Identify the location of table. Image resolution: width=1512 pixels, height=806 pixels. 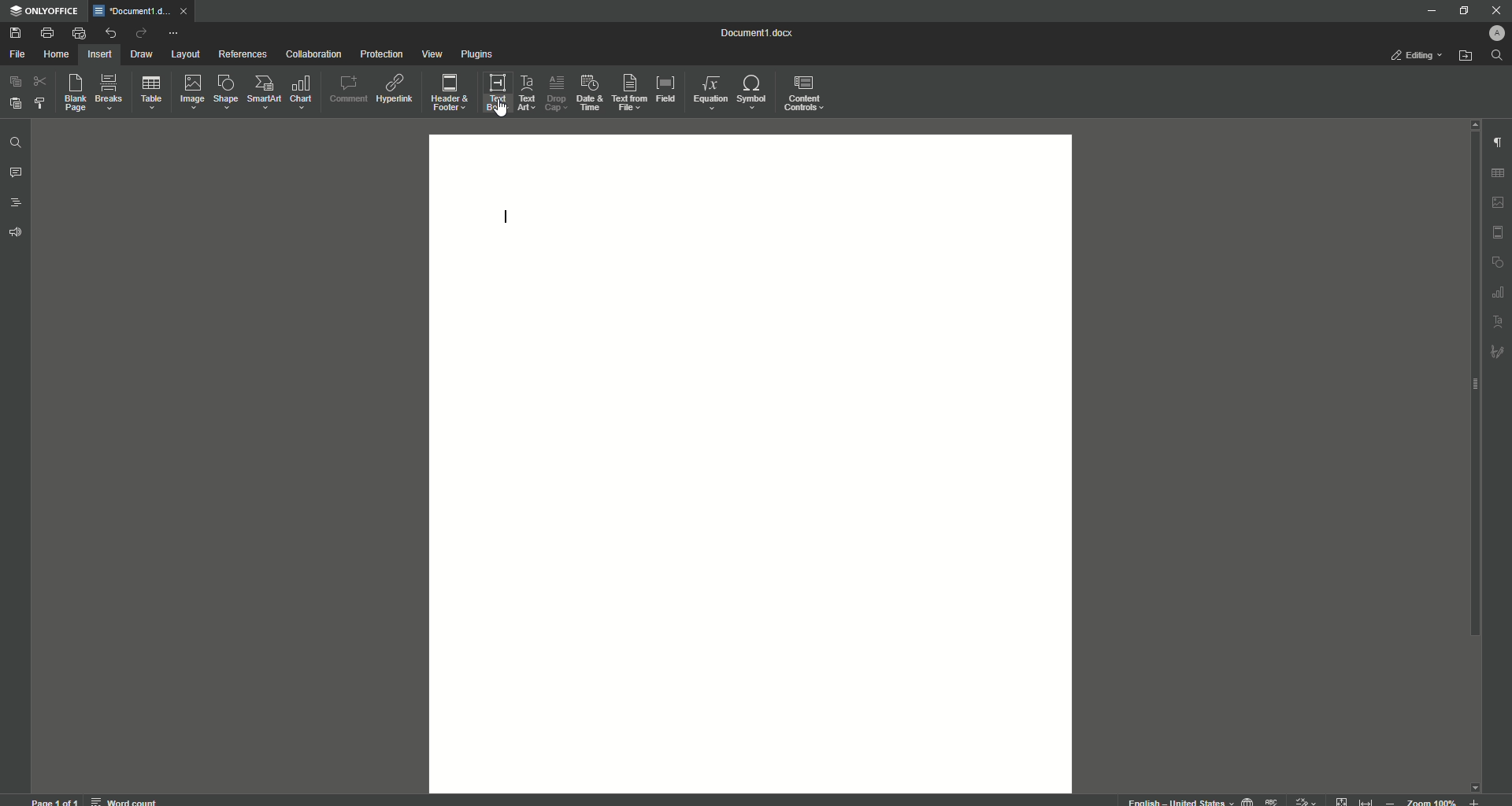
(1500, 171).